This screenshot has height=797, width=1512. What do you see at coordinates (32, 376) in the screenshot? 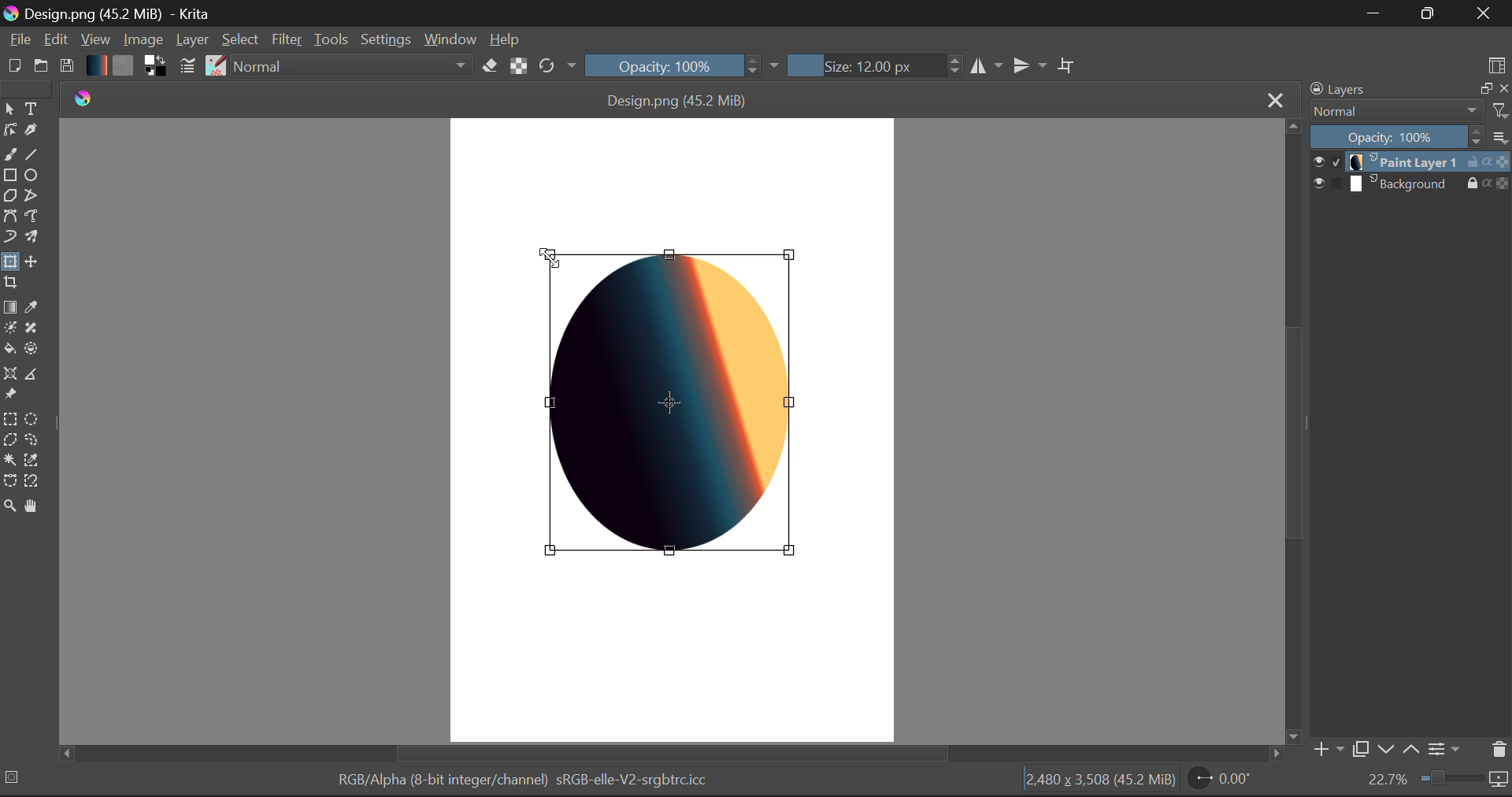
I see `Measurement` at bounding box center [32, 376].